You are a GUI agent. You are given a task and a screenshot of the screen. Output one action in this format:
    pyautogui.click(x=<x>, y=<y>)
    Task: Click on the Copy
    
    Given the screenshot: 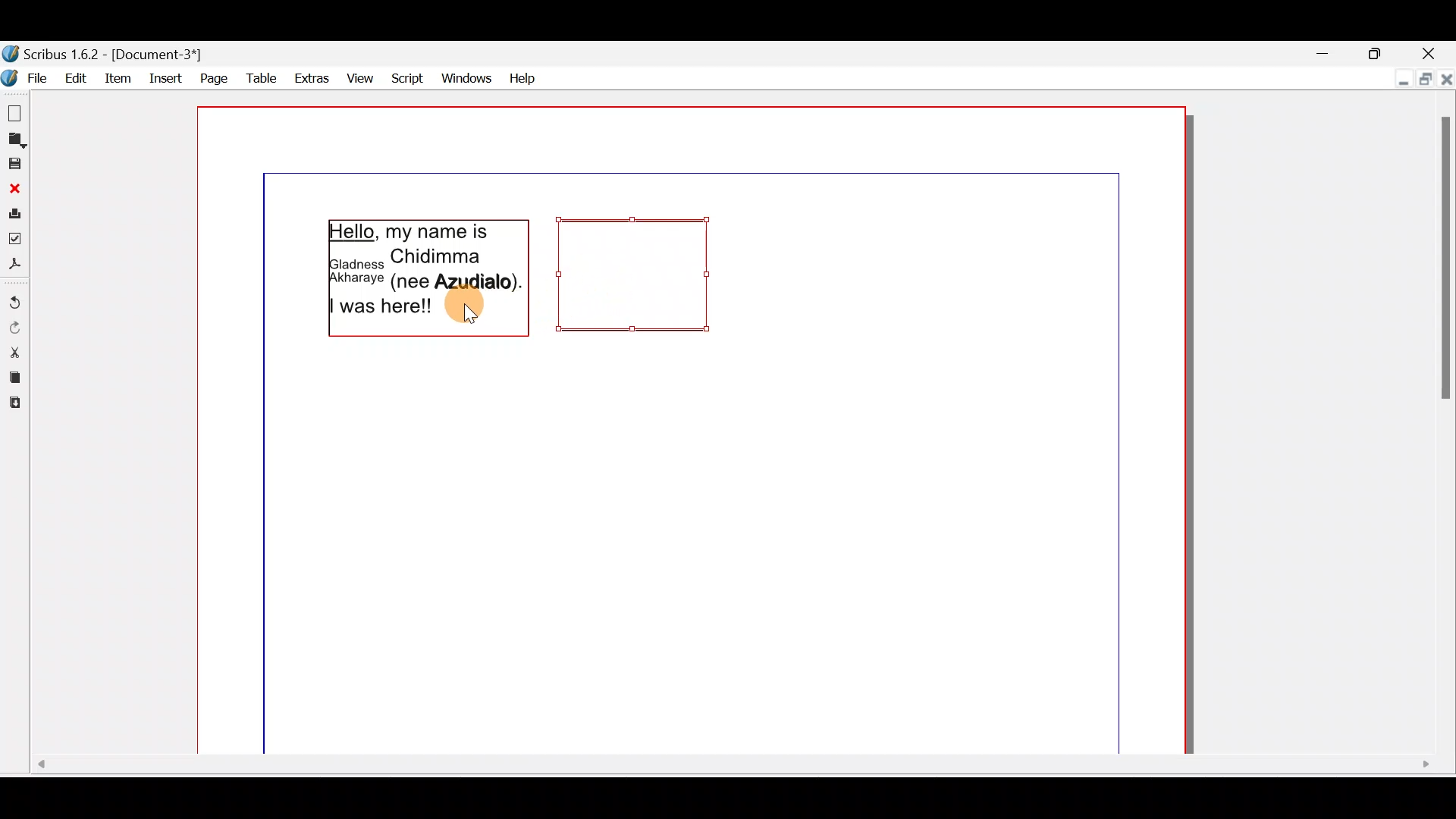 What is the action you would take?
    pyautogui.click(x=14, y=378)
    